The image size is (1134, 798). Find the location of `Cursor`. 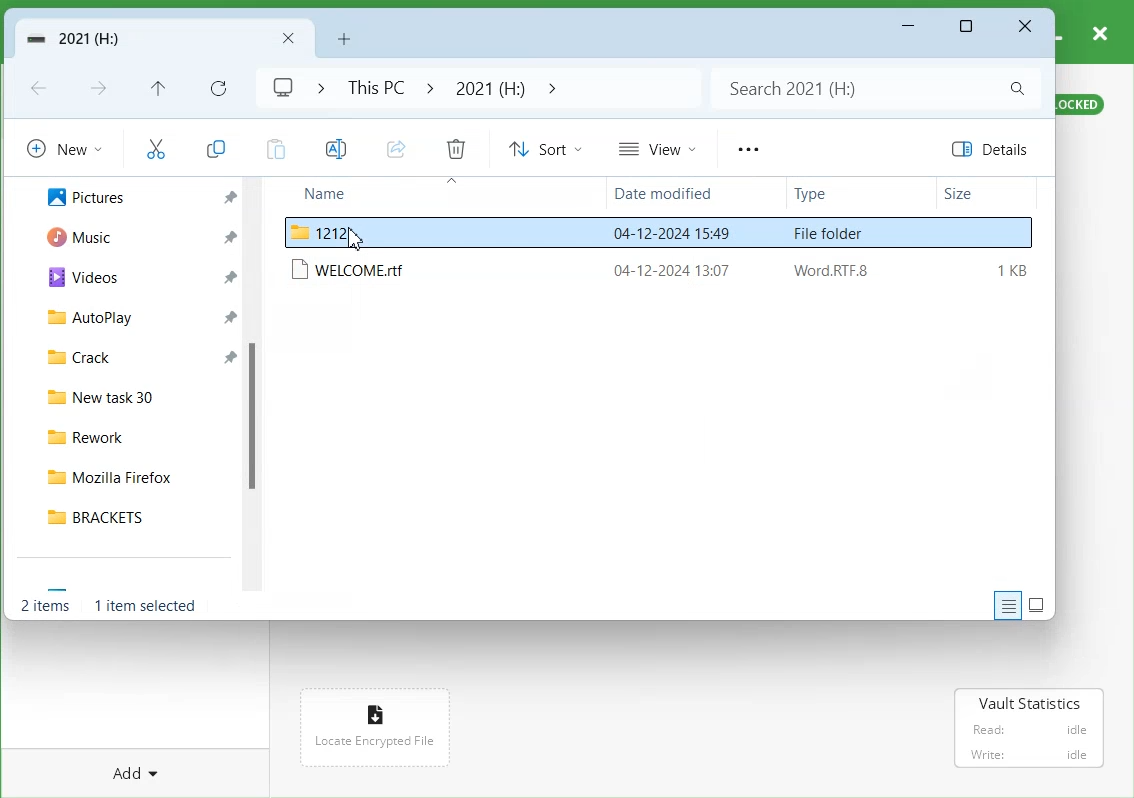

Cursor is located at coordinates (357, 239).